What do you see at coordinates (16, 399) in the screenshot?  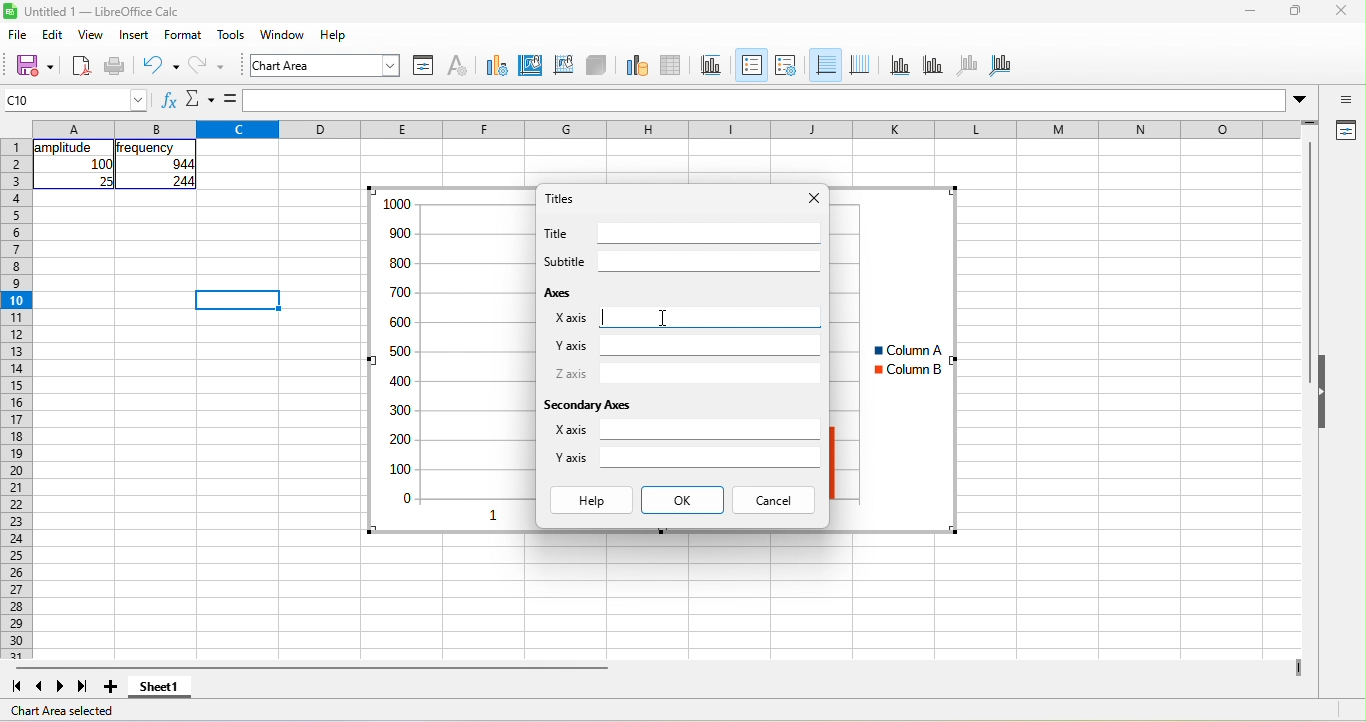 I see `rows` at bounding box center [16, 399].